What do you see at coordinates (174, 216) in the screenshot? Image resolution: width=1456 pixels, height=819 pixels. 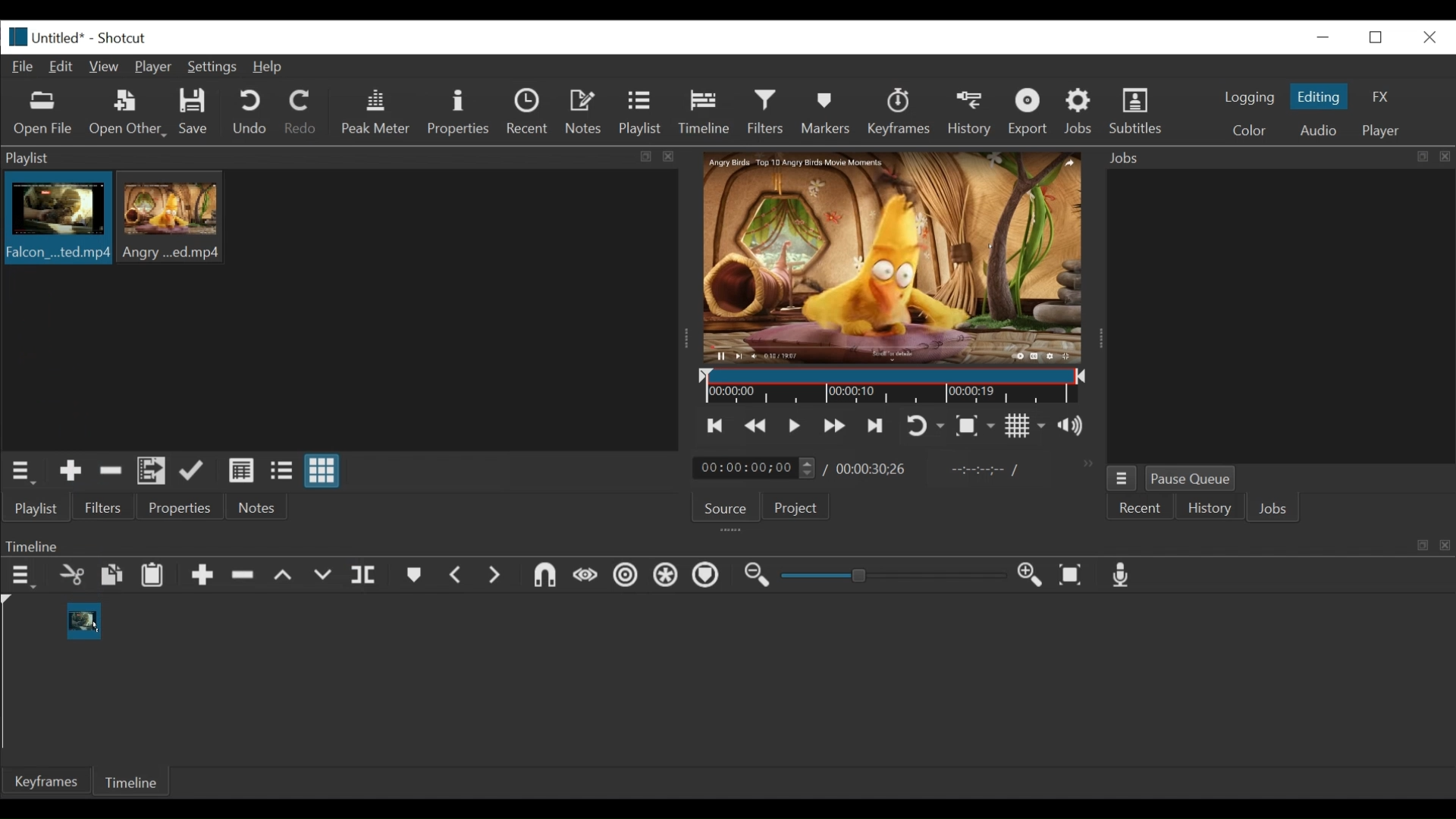 I see `clip` at bounding box center [174, 216].